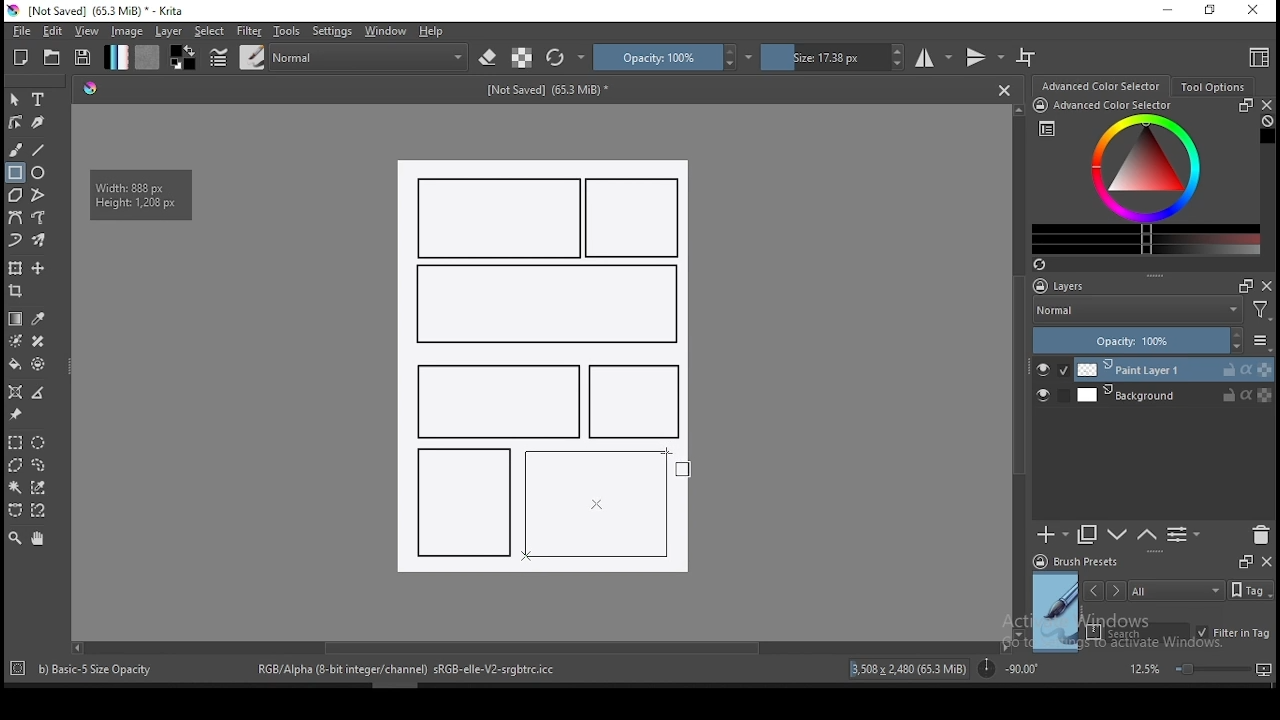 The image size is (1280, 720). I want to click on  close window, so click(1255, 11).